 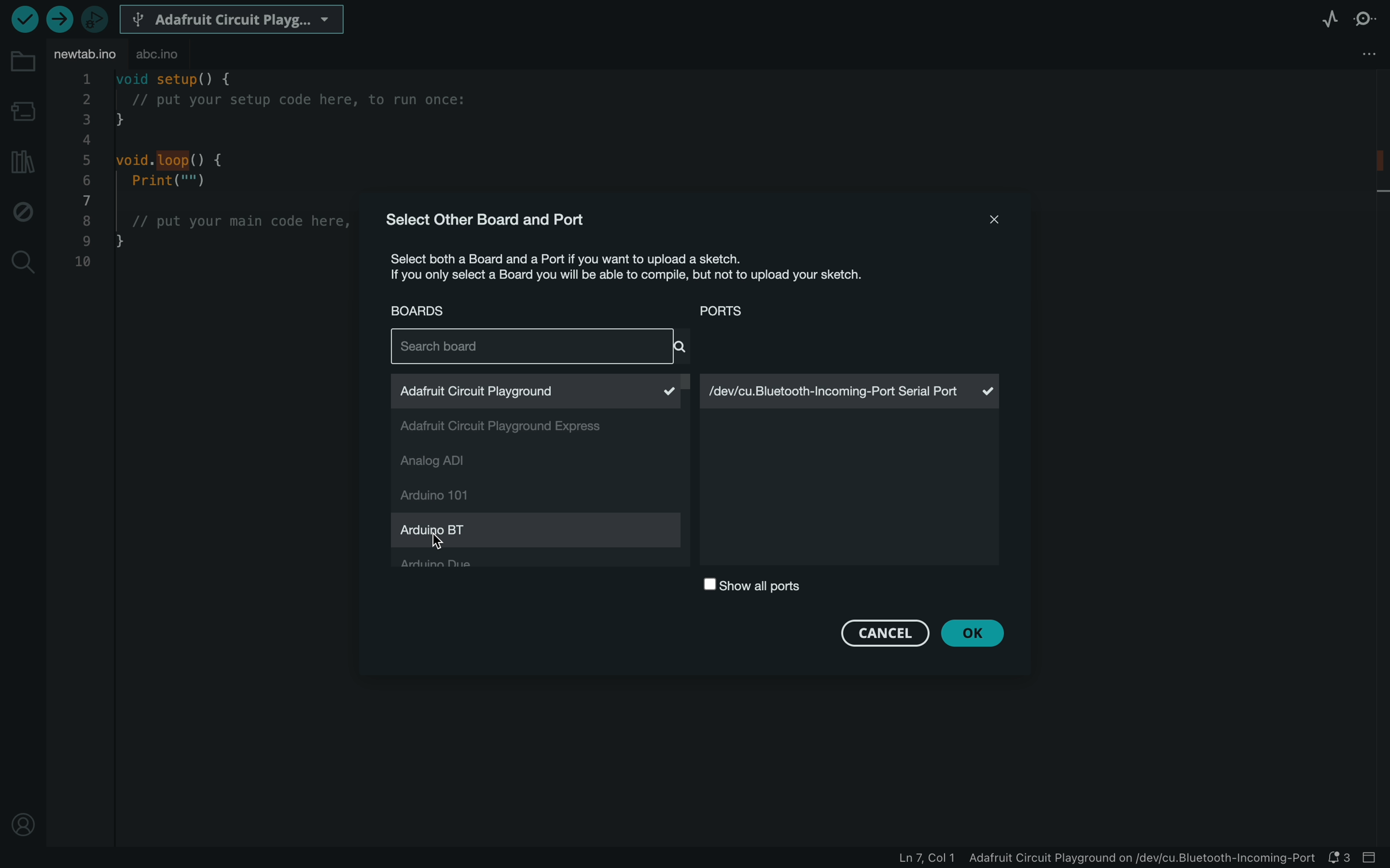 I want to click on search, so click(x=22, y=261).